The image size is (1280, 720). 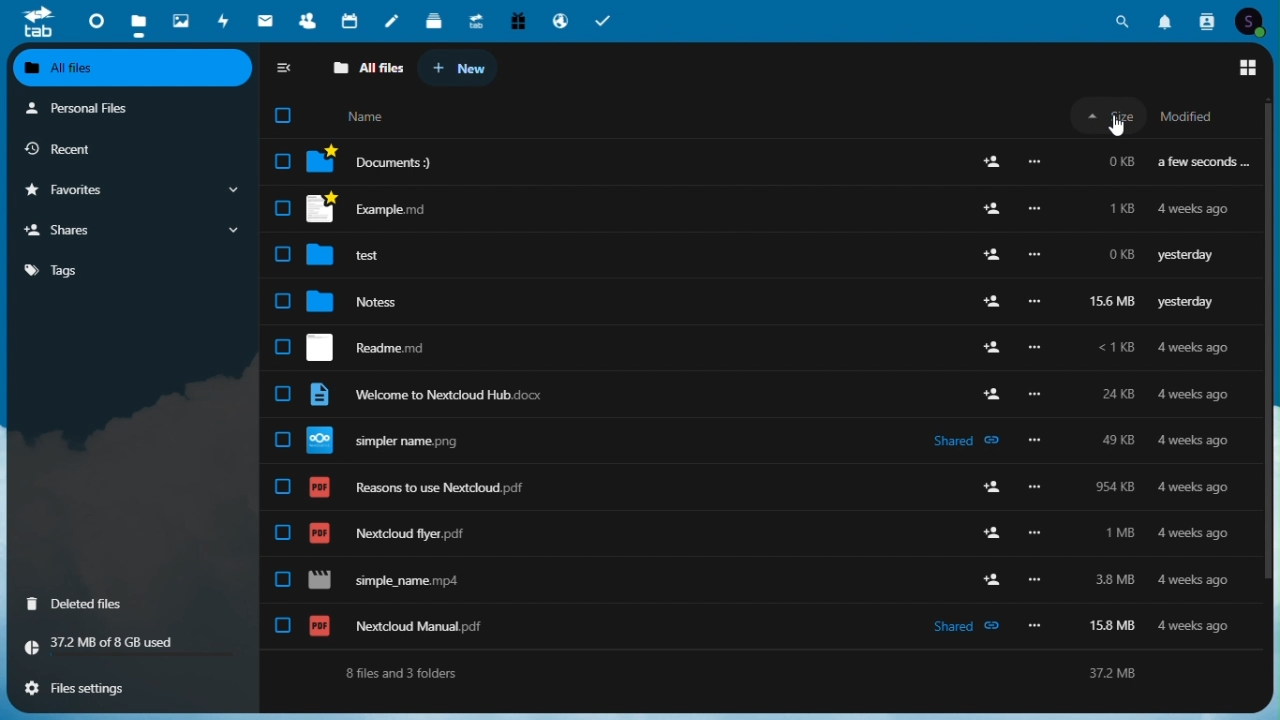 I want to click on storage, so click(x=131, y=646).